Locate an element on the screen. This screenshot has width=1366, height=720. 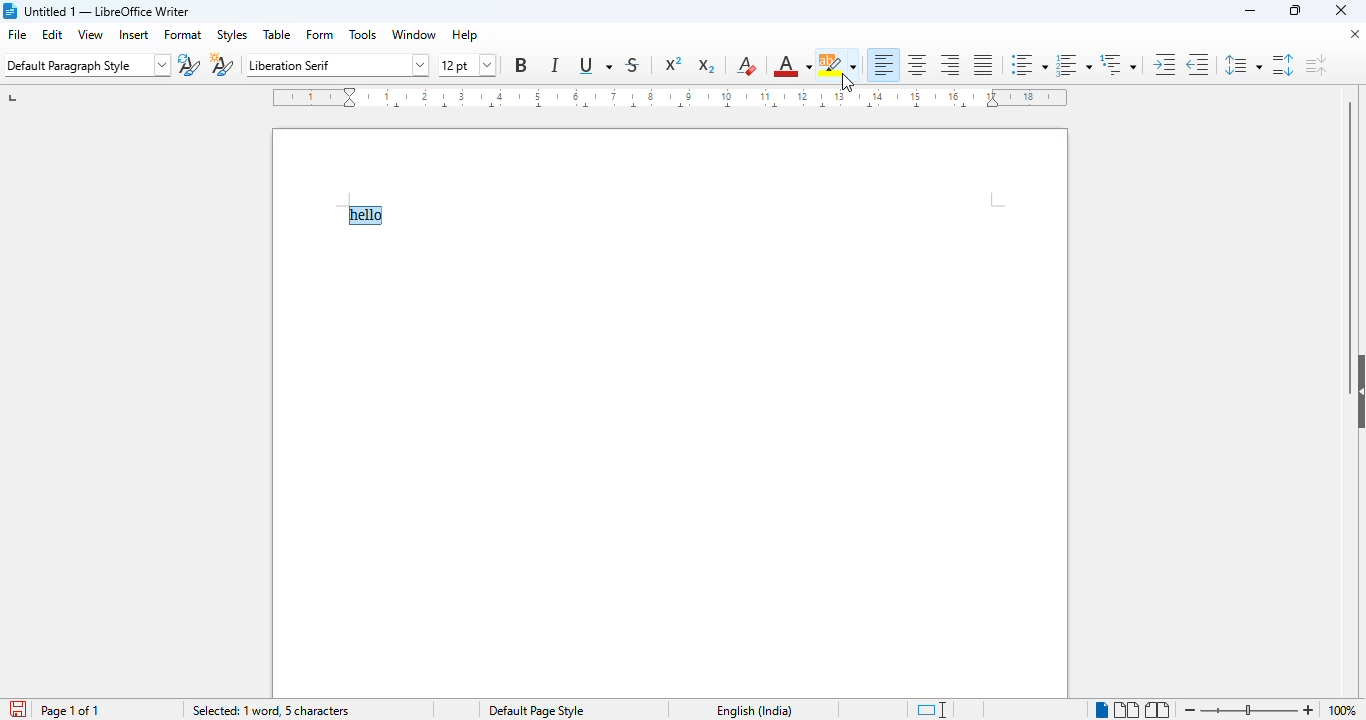
bold is located at coordinates (521, 65).